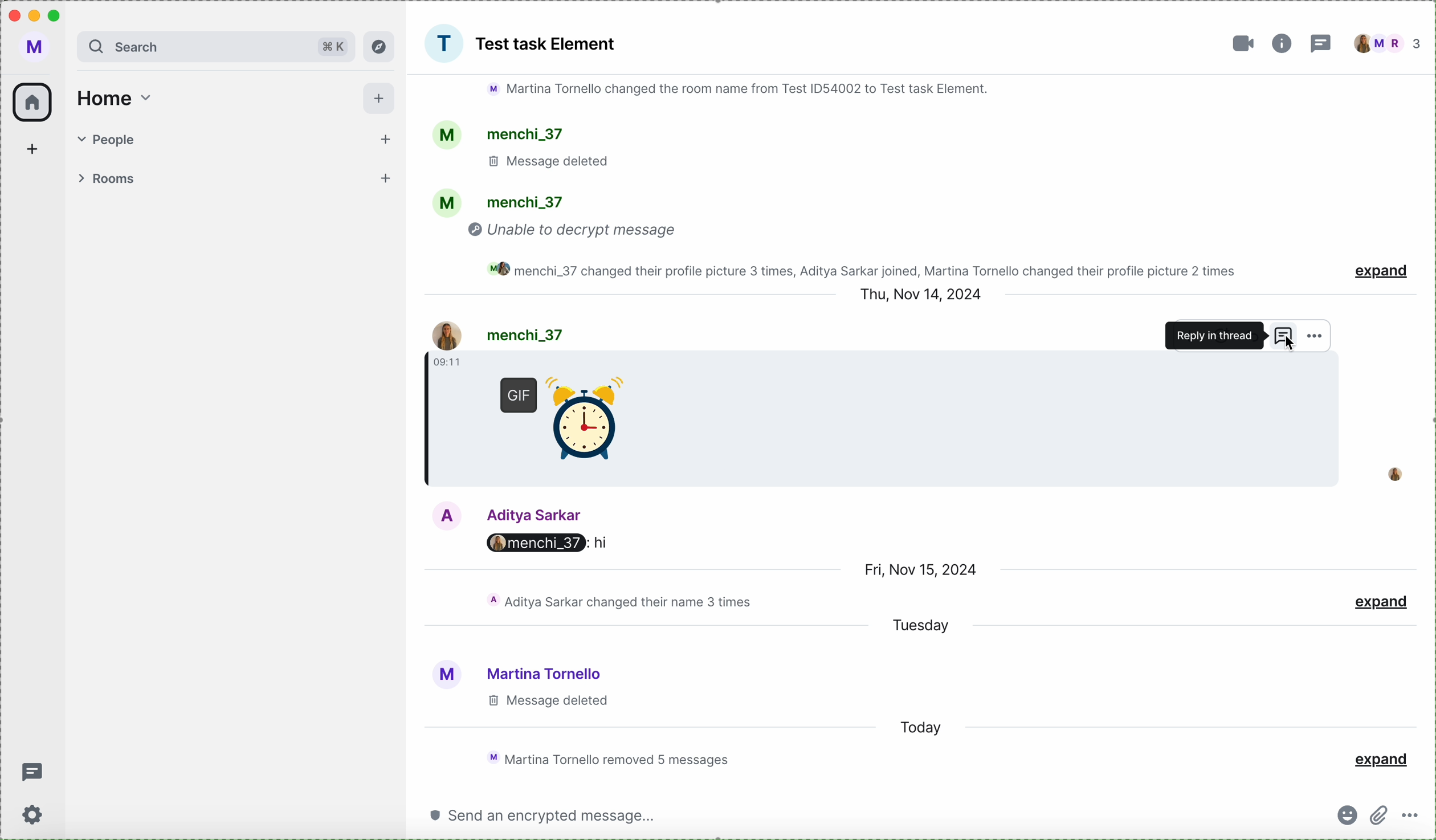 This screenshot has height=840, width=1436. Describe the element at coordinates (443, 43) in the screenshot. I see `picture group` at that location.